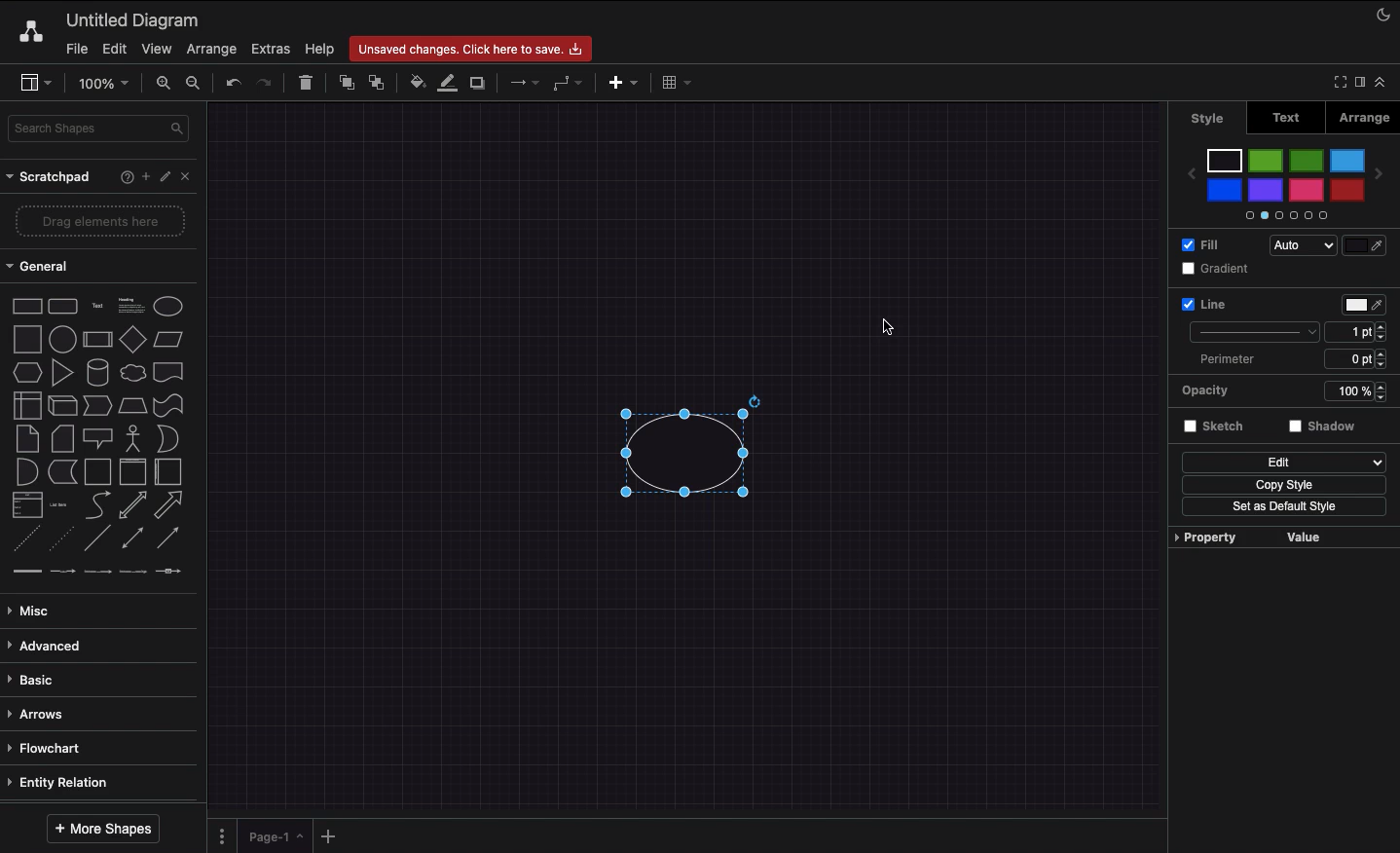 The height and width of the screenshot is (853, 1400). What do you see at coordinates (23, 541) in the screenshot?
I see `Dashed line` at bounding box center [23, 541].